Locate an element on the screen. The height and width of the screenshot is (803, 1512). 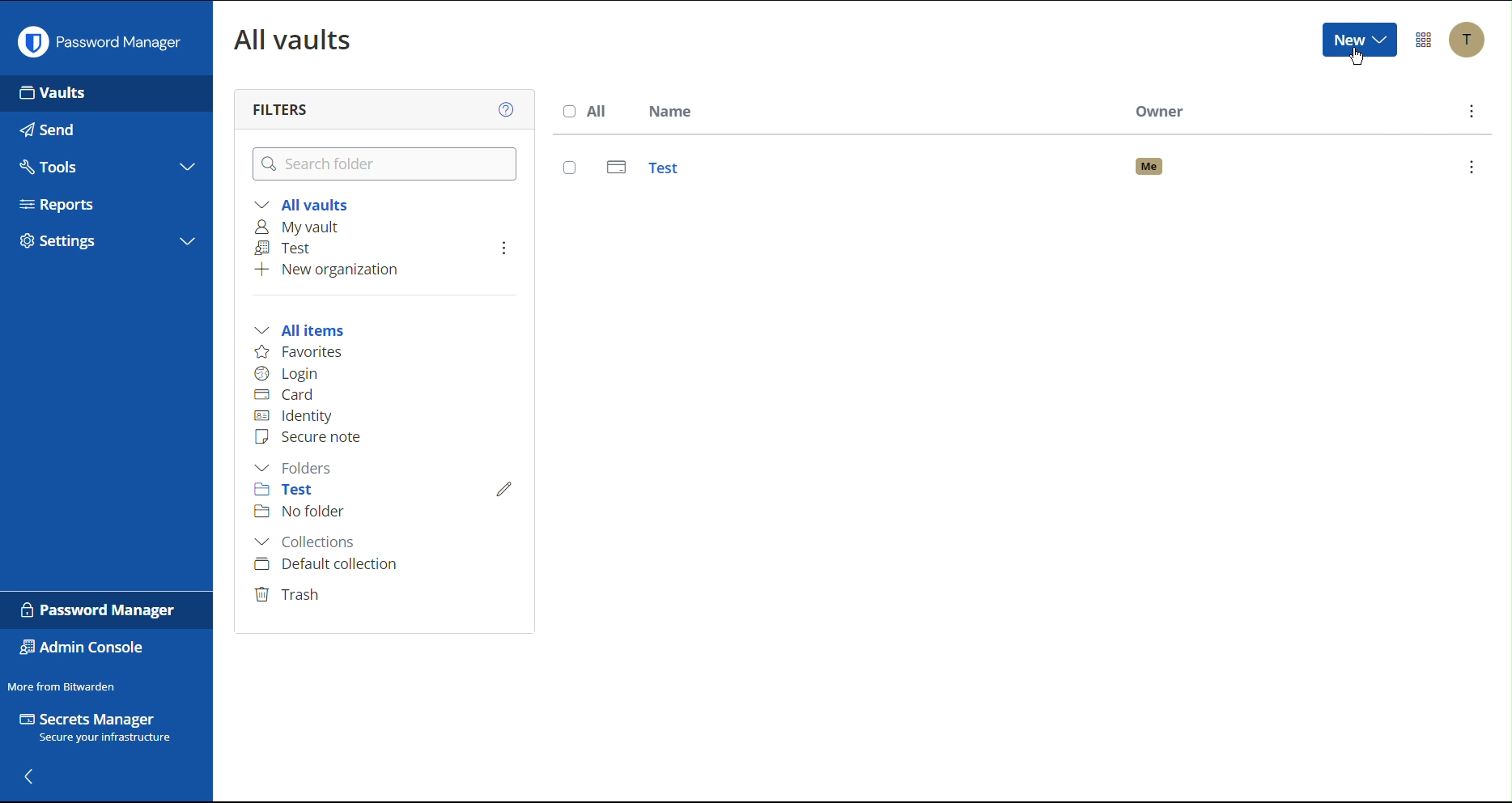
More Options is located at coordinates (501, 247).